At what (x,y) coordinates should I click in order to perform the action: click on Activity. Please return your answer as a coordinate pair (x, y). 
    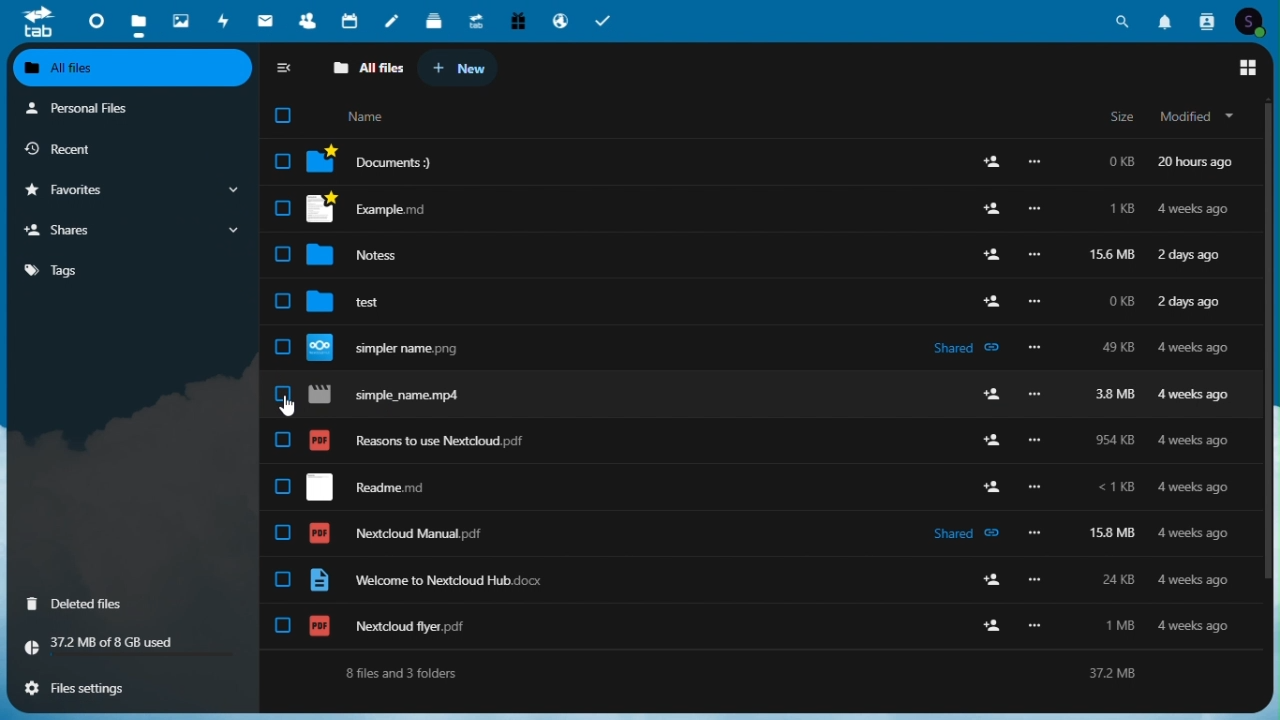
    Looking at the image, I should click on (225, 20).